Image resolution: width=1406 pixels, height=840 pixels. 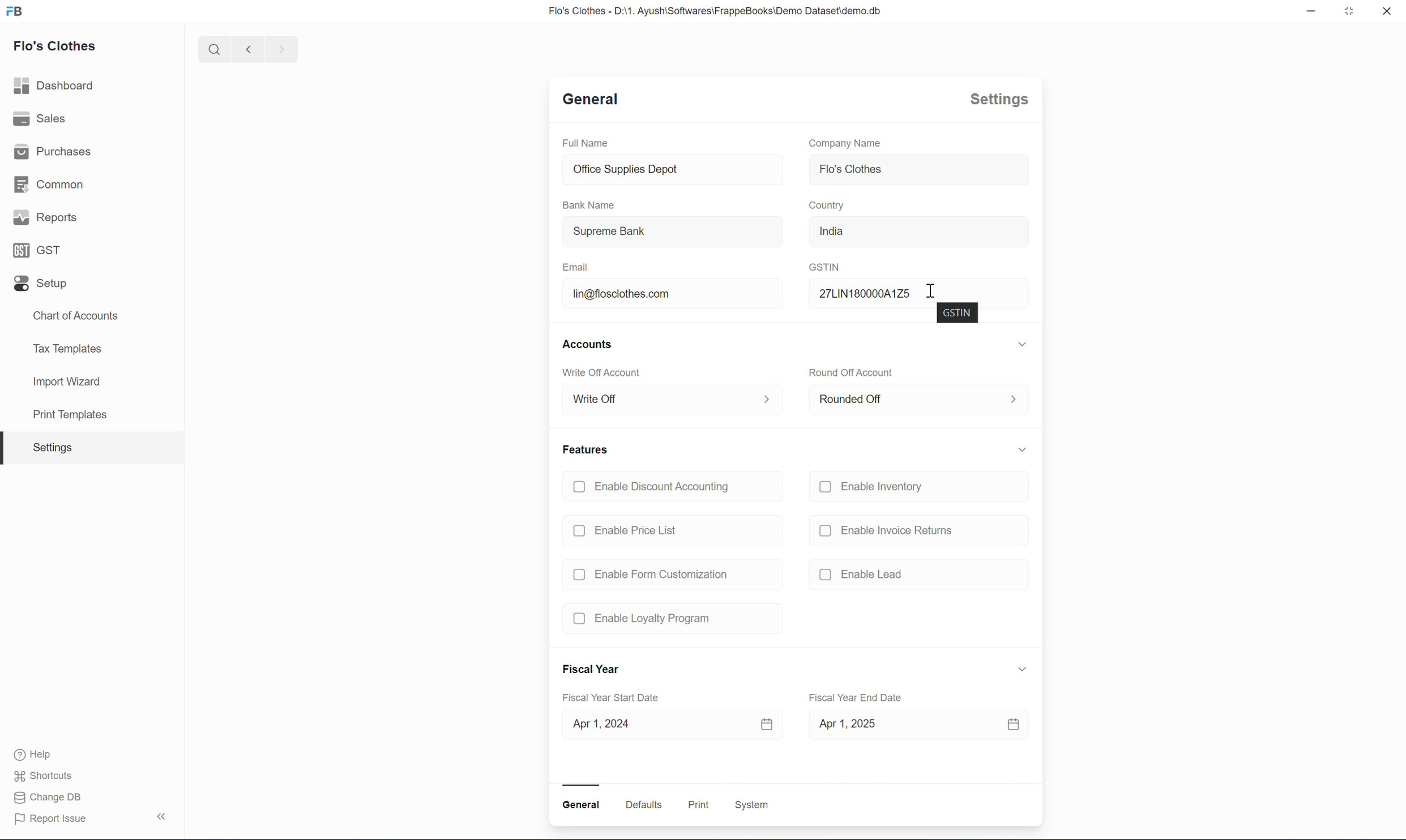 I want to click on Enable Price List, so click(x=627, y=530).